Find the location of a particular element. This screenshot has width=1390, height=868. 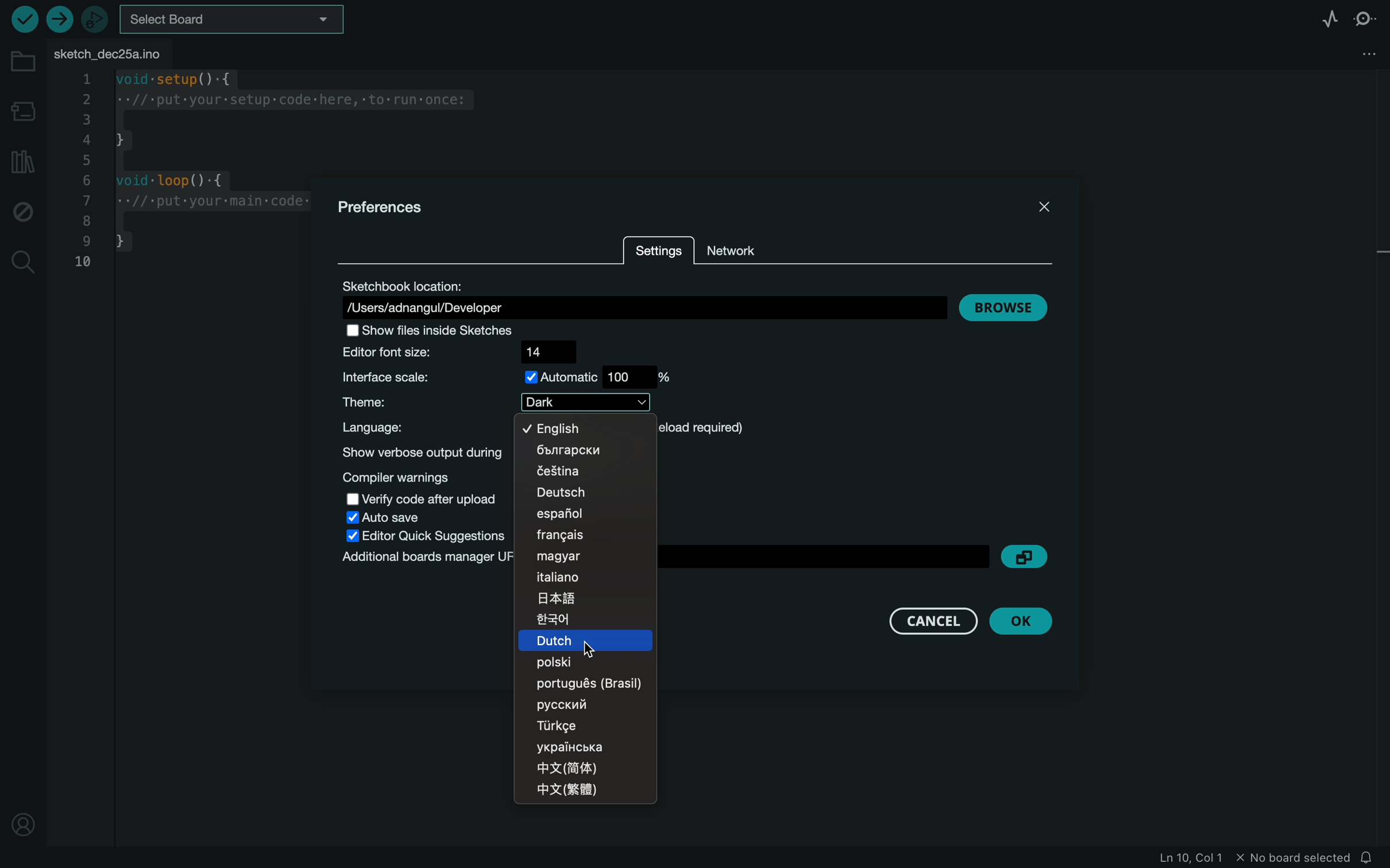

verify  code is located at coordinates (422, 498).